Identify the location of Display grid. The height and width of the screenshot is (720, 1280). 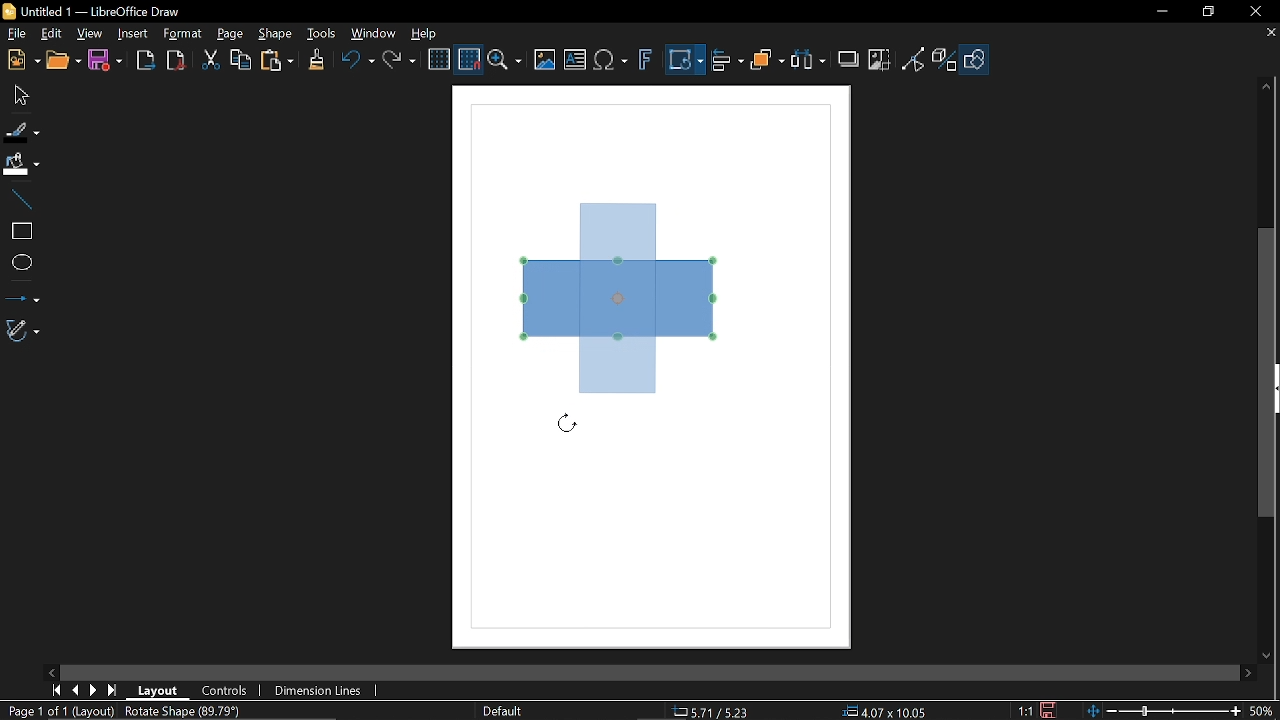
(439, 61).